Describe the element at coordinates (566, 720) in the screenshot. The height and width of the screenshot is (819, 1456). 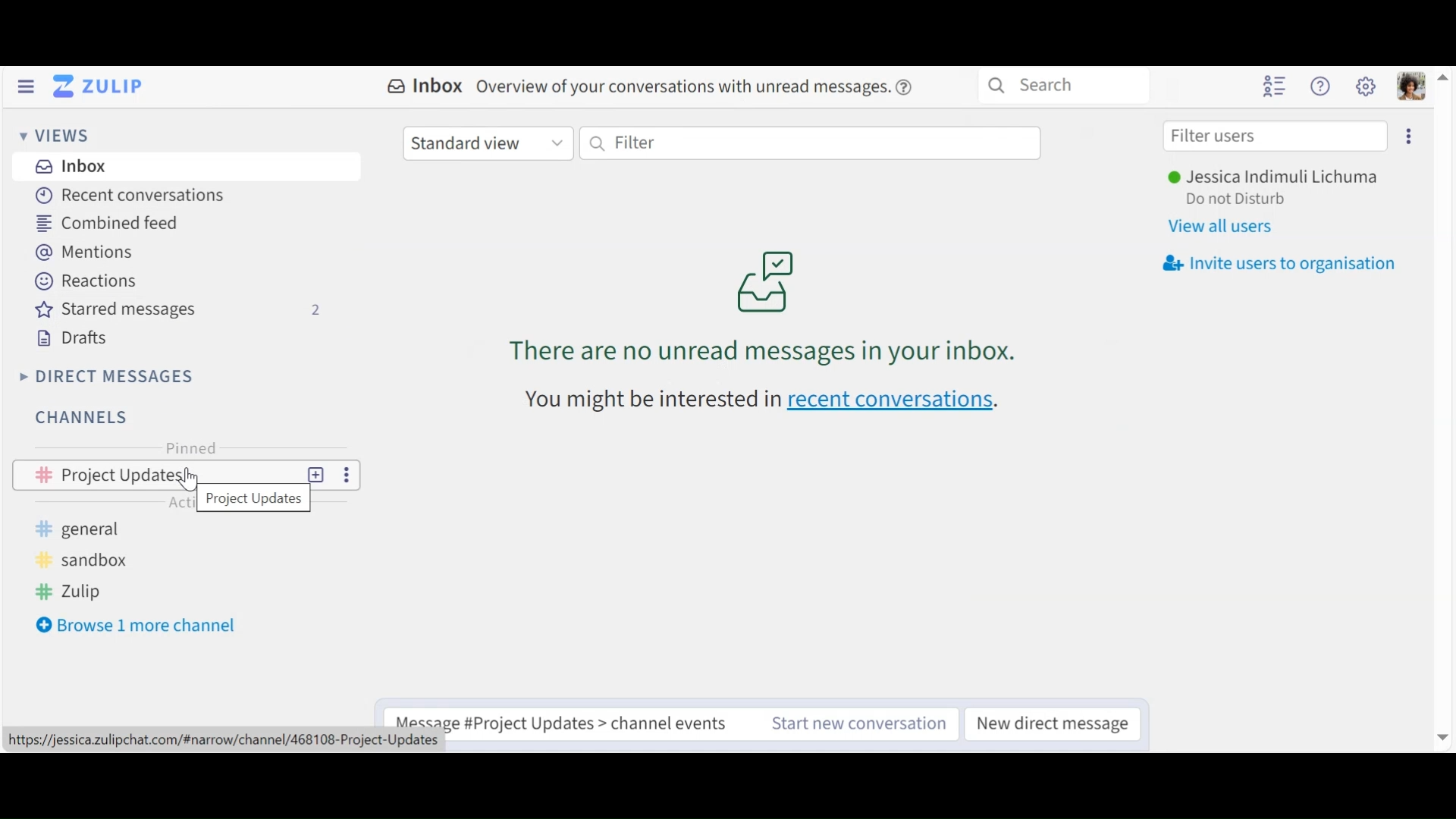
I see `Compose messages` at that location.